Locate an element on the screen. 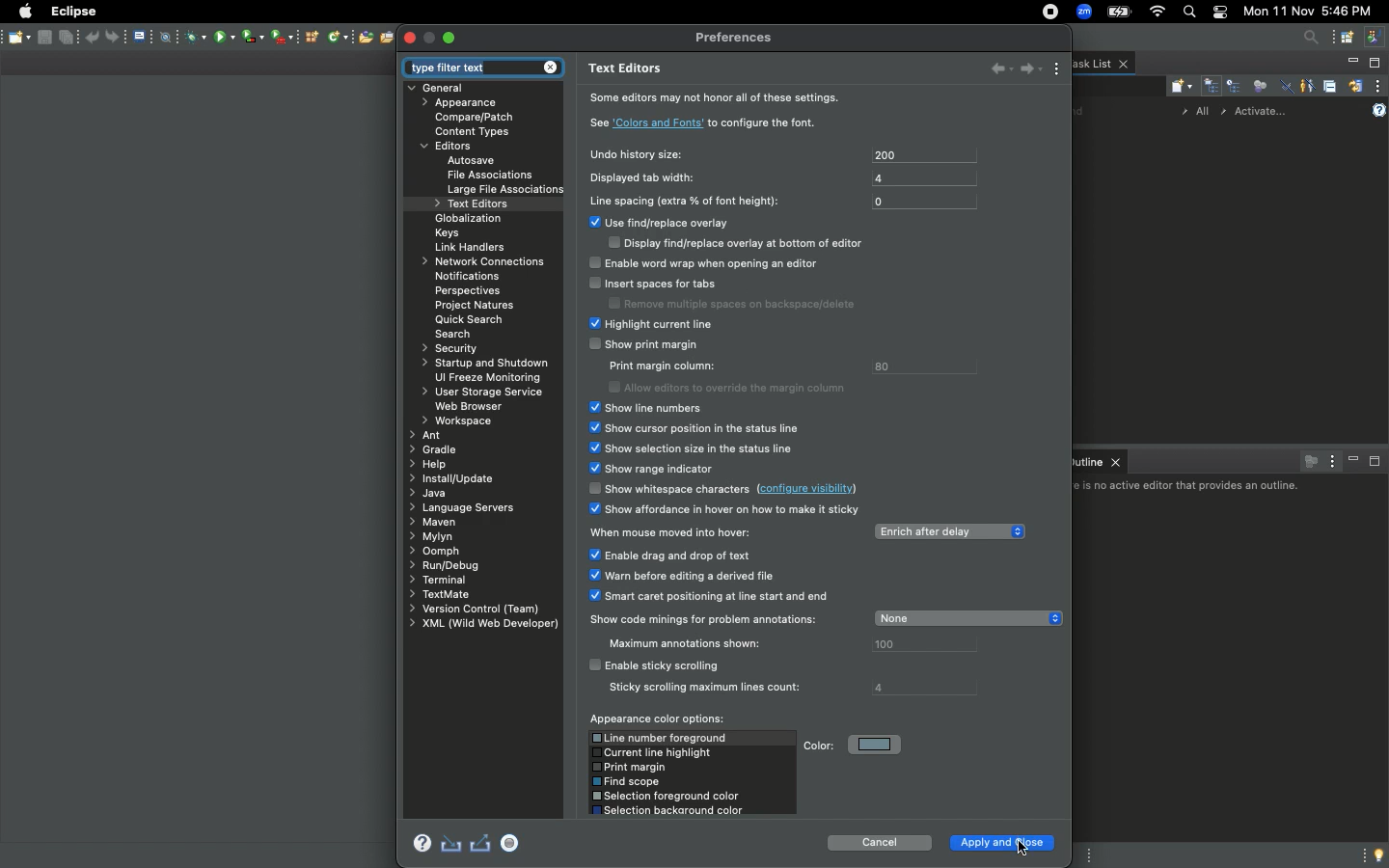 This screenshot has height=868, width=1389. Network is located at coordinates (336, 38).